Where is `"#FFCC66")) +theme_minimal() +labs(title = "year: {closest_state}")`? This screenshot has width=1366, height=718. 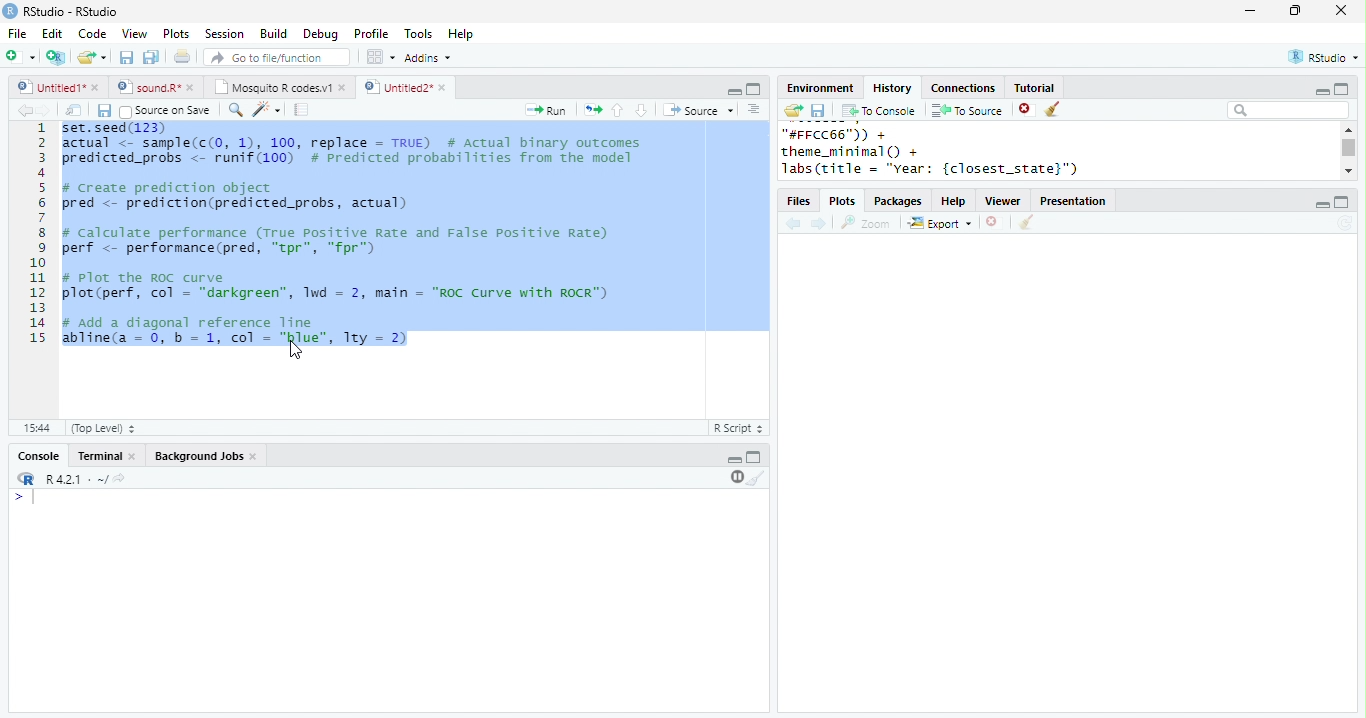
"#FFCC66")) +theme_minimal() +labs(title = "year: {closest_state}") is located at coordinates (955, 152).